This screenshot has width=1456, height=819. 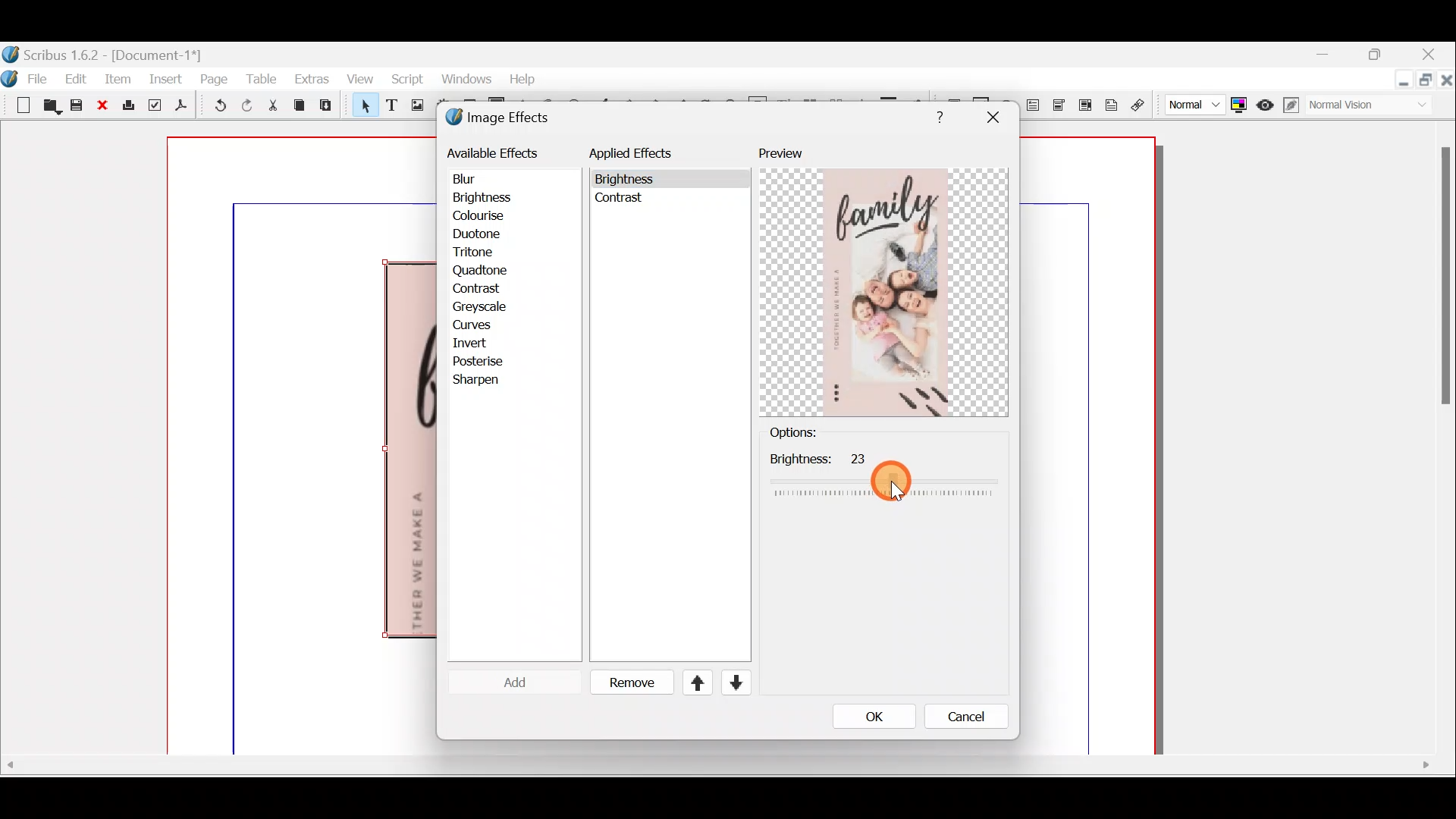 I want to click on Contrast, so click(x=479, y=287).